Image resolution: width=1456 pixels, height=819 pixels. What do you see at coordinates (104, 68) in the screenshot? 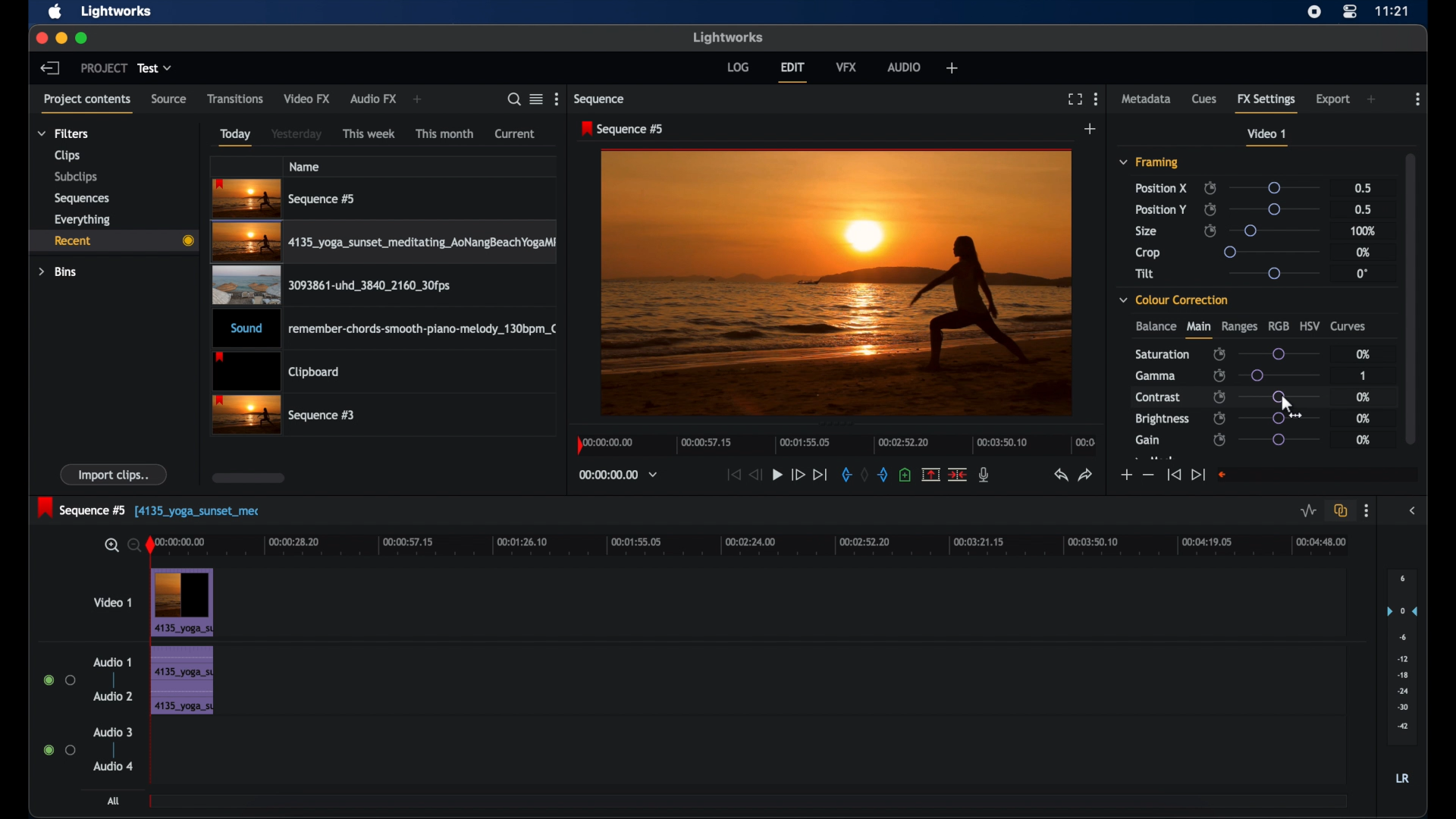
I see `project` at bounding box center [104, 68].